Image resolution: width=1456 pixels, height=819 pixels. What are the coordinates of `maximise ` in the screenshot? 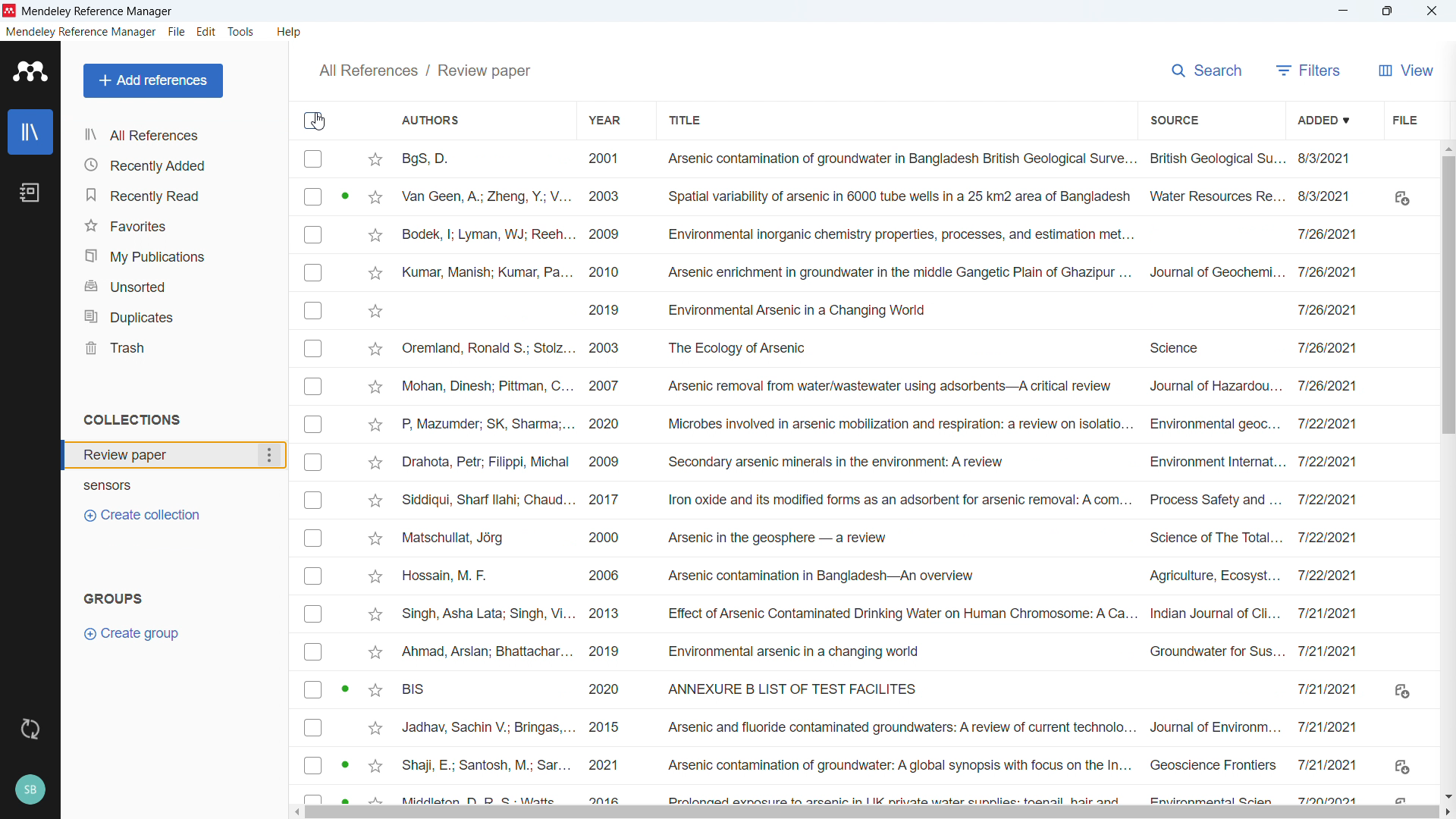 It's located at (1390, 11).